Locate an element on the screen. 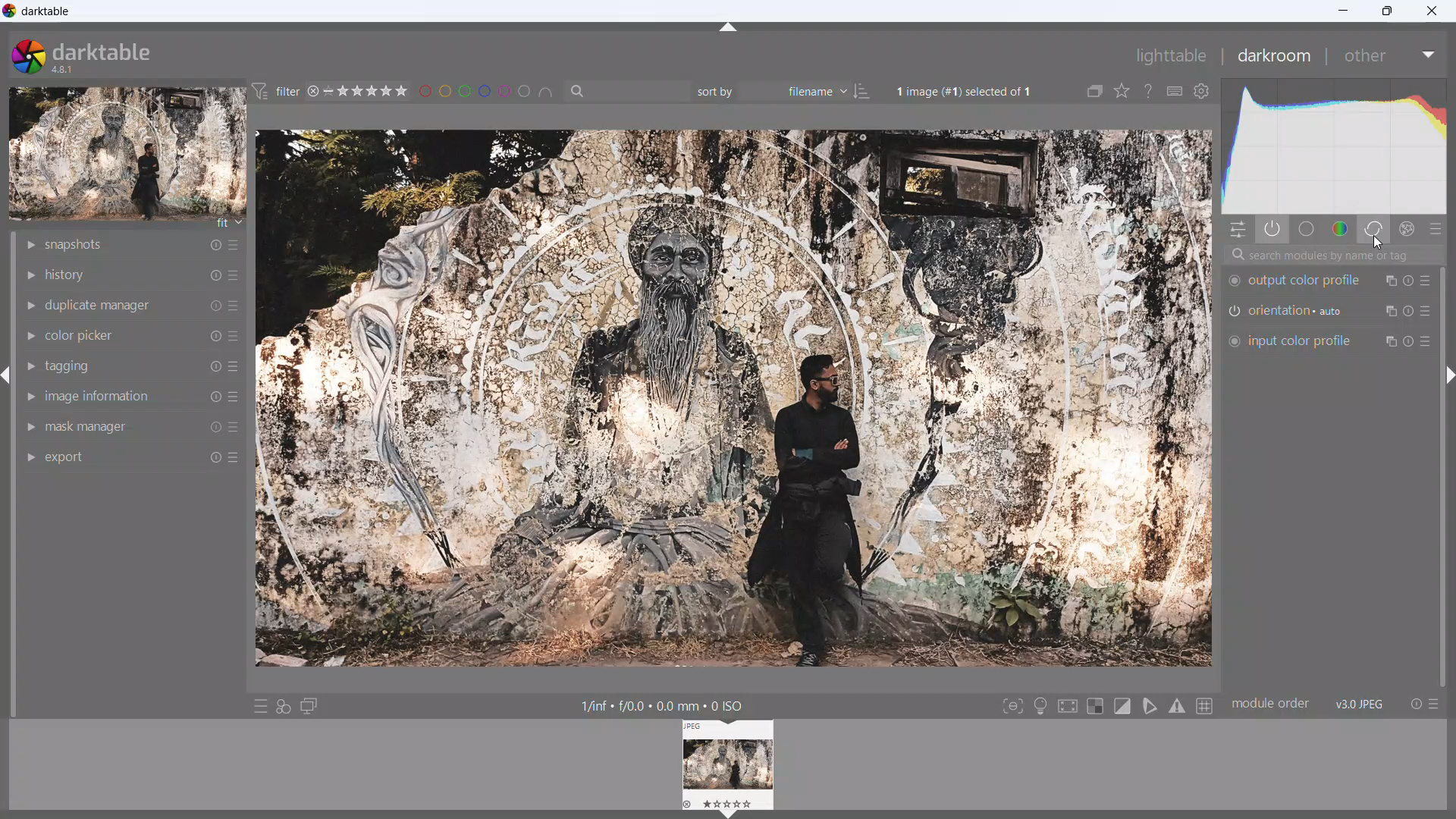 This screenshot has width=1456, height=819. history is located at coordinates (66, 275).